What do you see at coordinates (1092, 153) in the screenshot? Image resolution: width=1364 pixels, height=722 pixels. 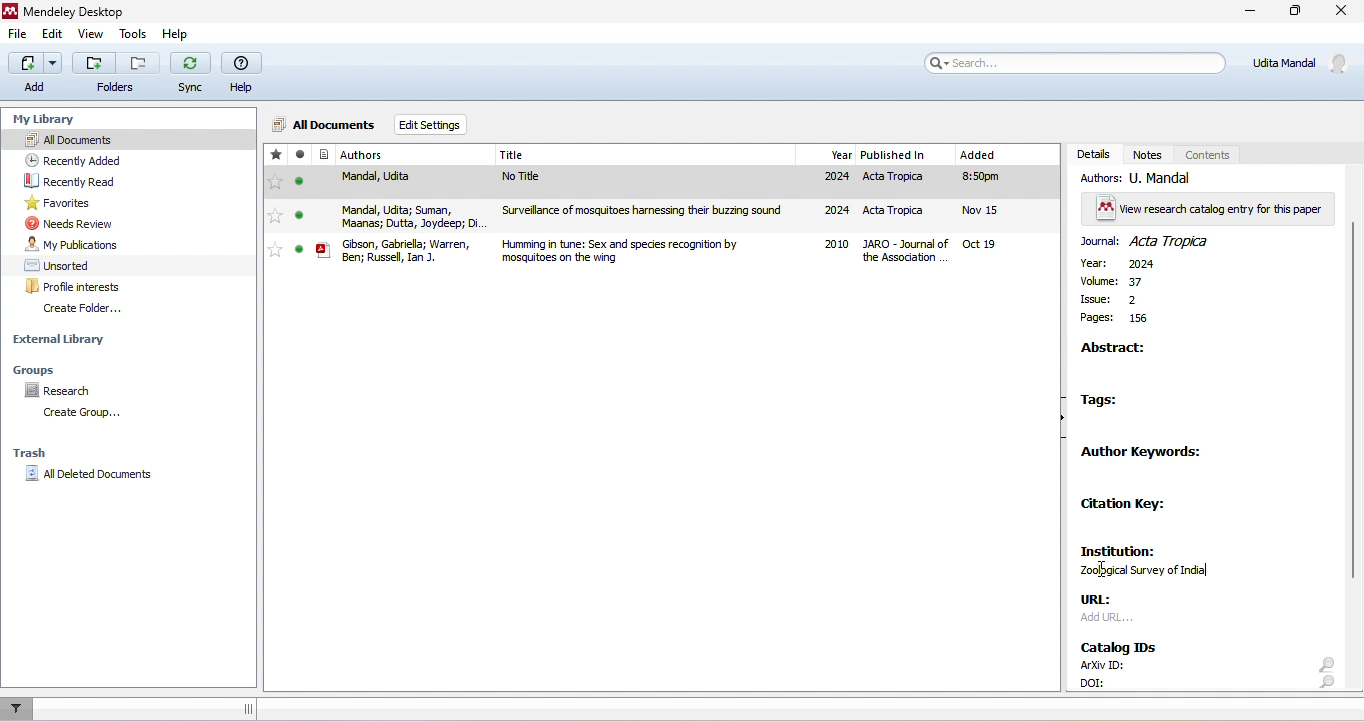 I see `details` at bounding box center [1092, 153].